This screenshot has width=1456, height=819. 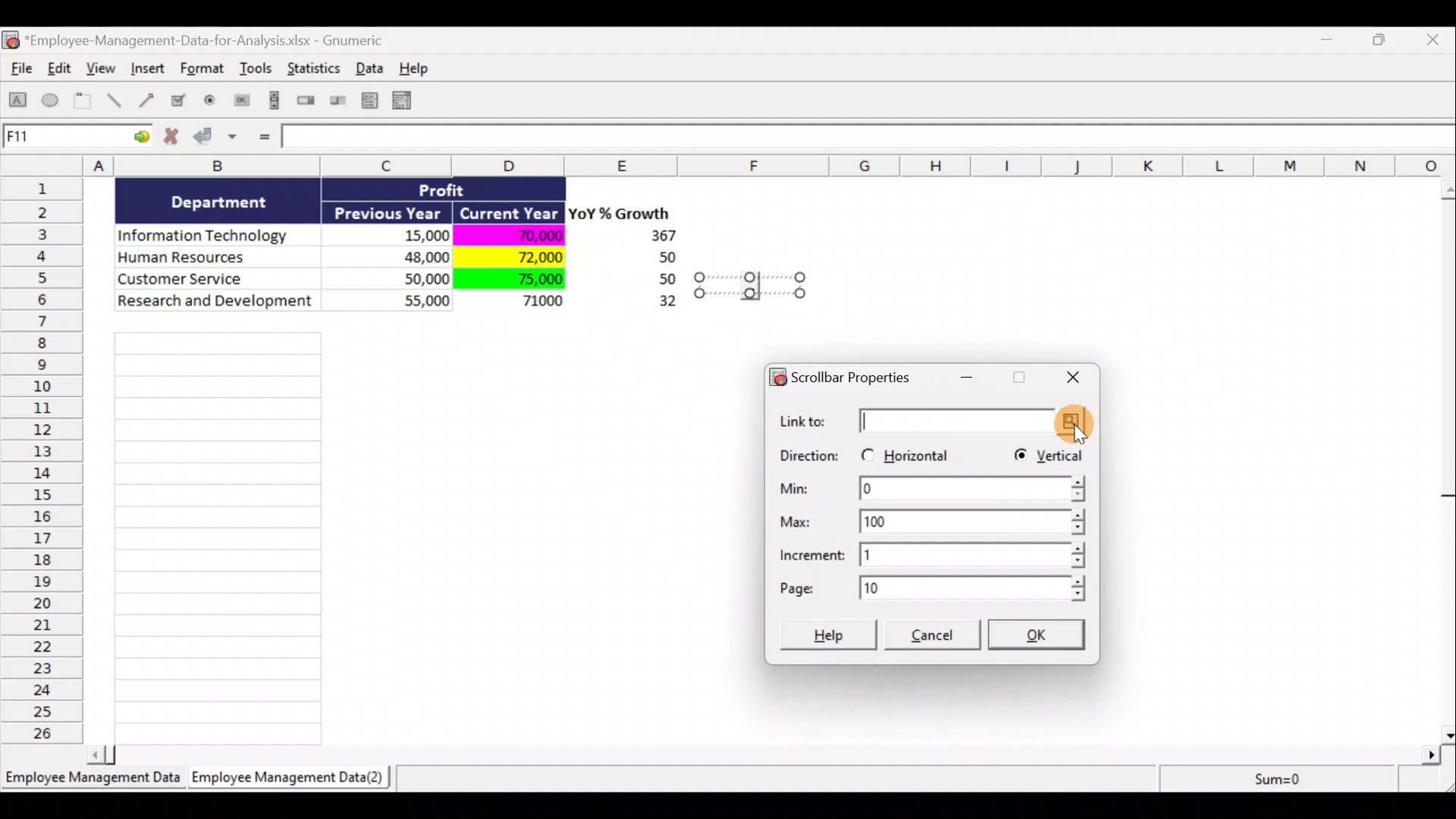 What do you see at coordinates (315, 73) in the screenshot?
I see `Statistics` at bounding box center [315, 73].